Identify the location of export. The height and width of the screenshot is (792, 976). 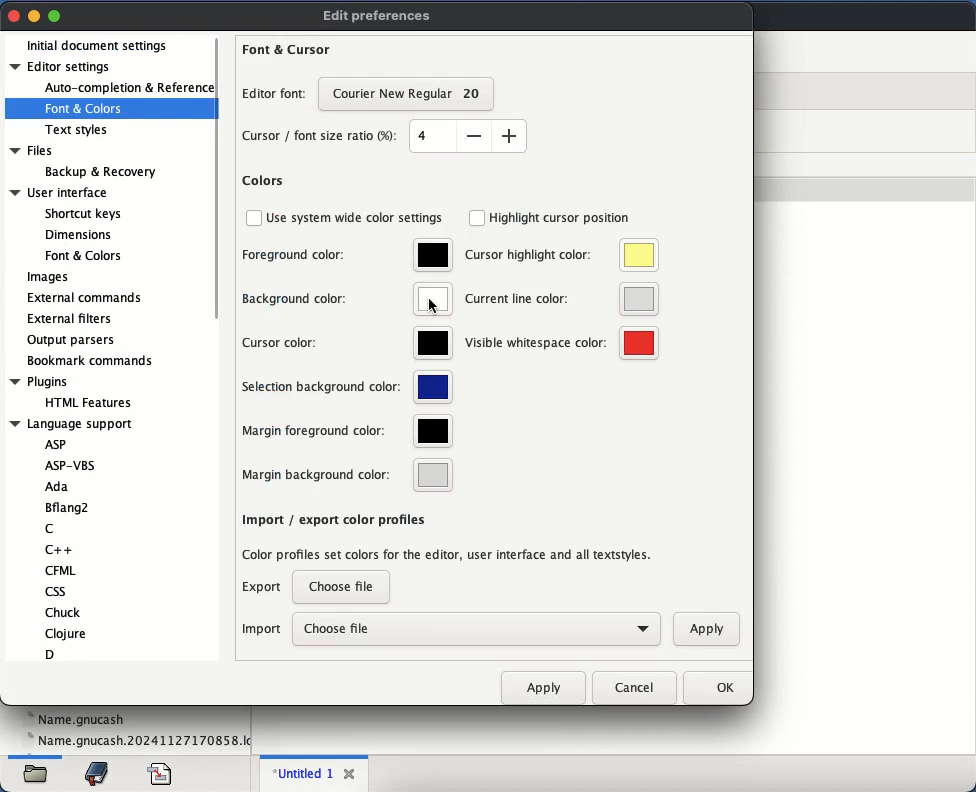
(262, 586).